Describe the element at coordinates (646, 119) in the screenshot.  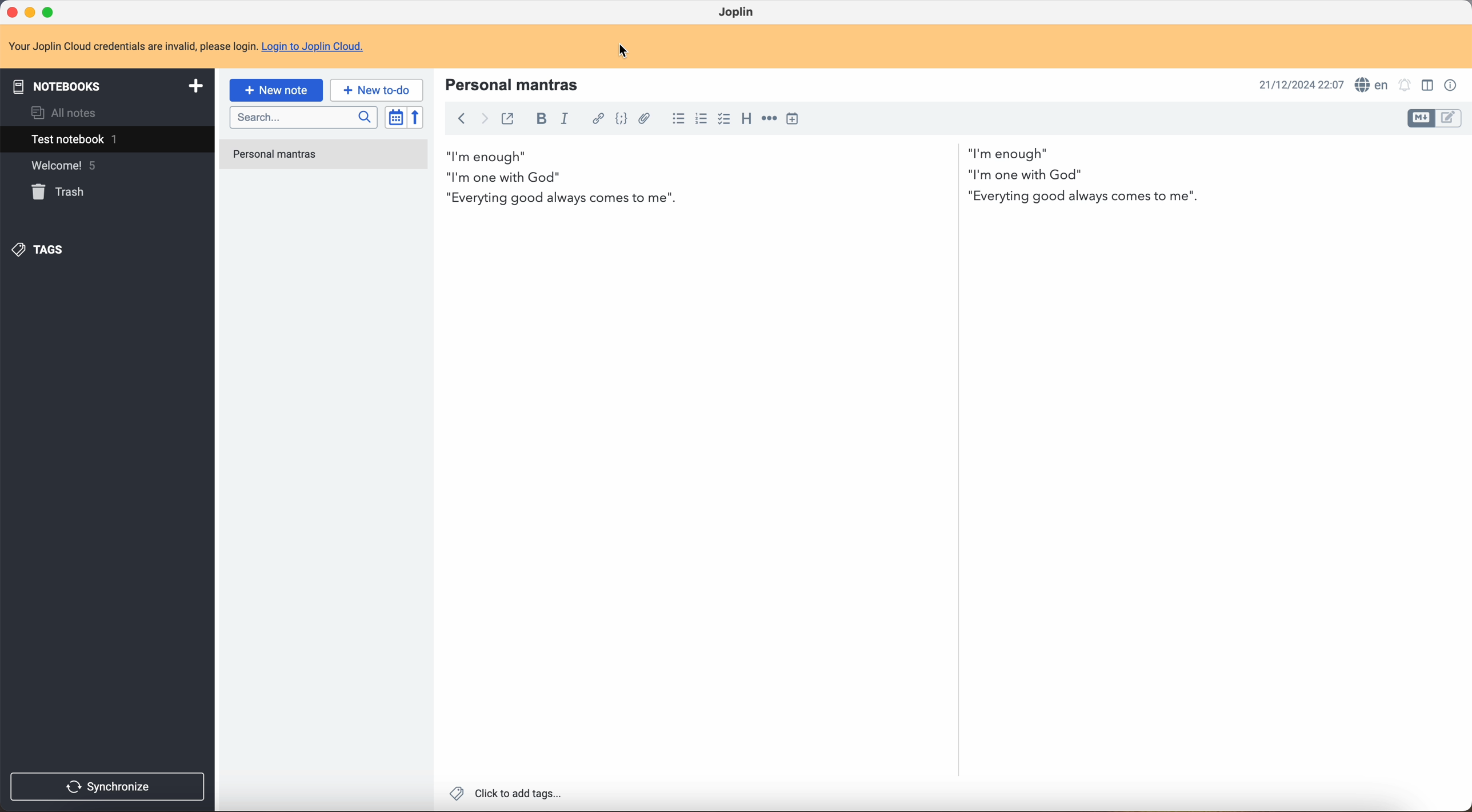
I see `attach file` at that location.